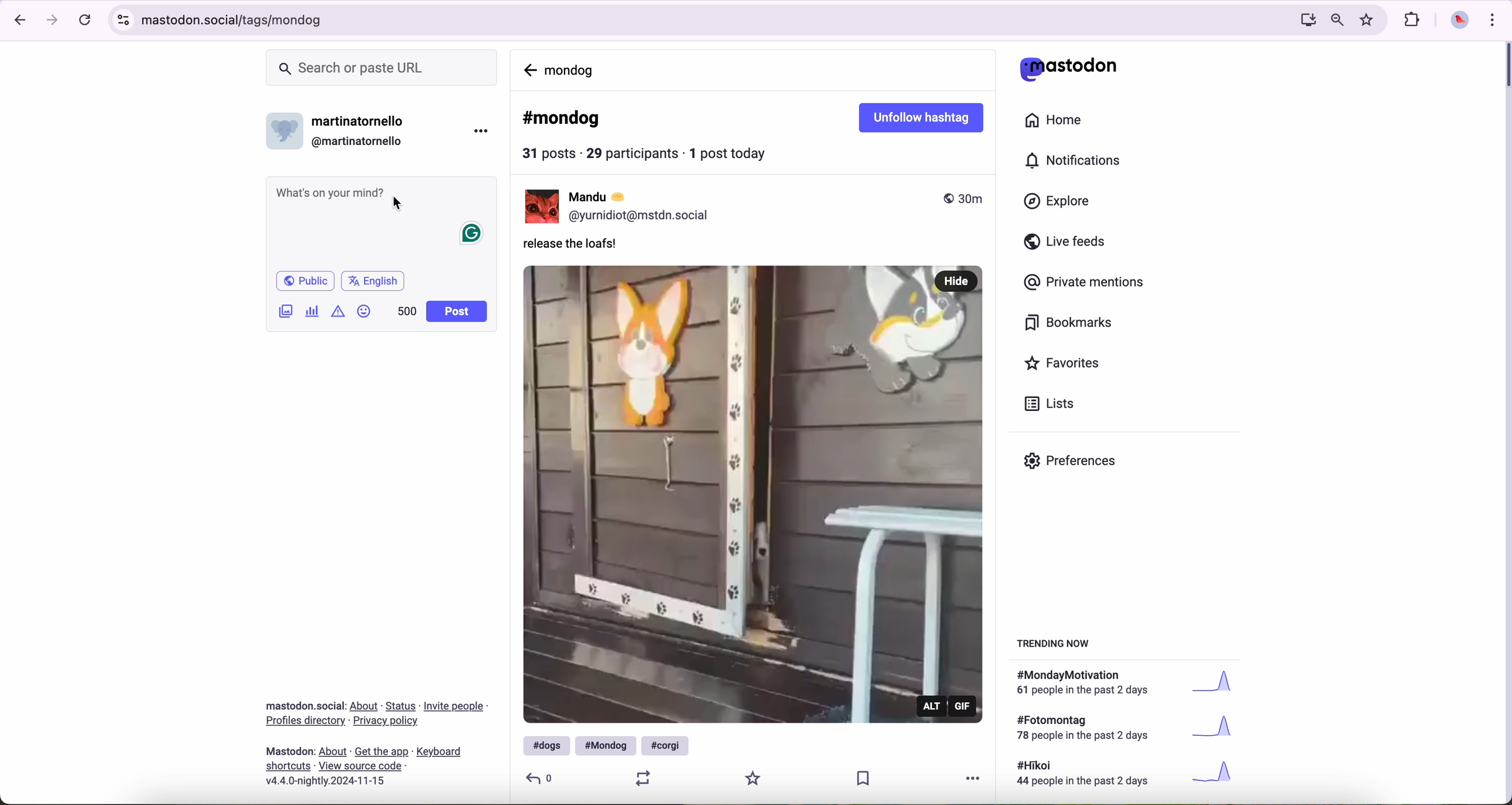 This screenshot has width=1512, height=805. Describe the element at coordinates (640, 777) in the screenshot. I see `retweet` at that location.